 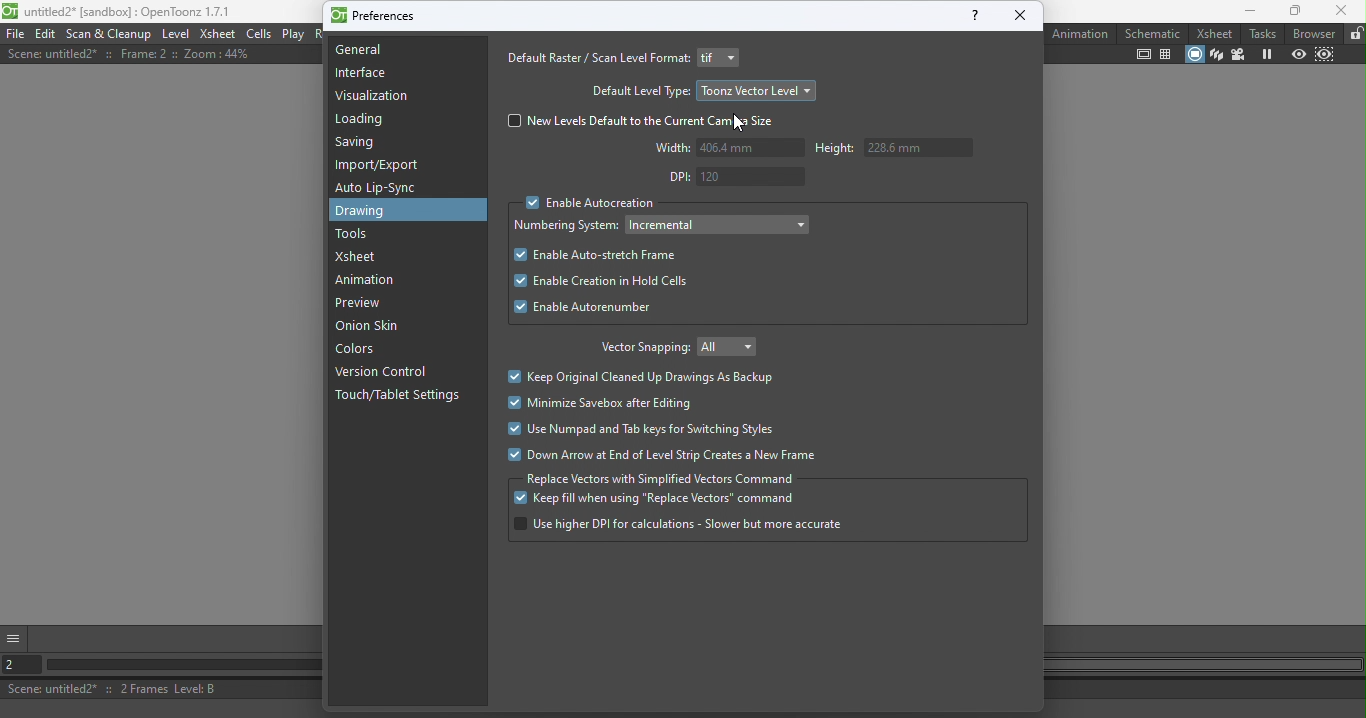 What do you see at coordinates (110, 34) in the screenshot?
I see `Scan & Cleanup` at bounding box center [110, 34].